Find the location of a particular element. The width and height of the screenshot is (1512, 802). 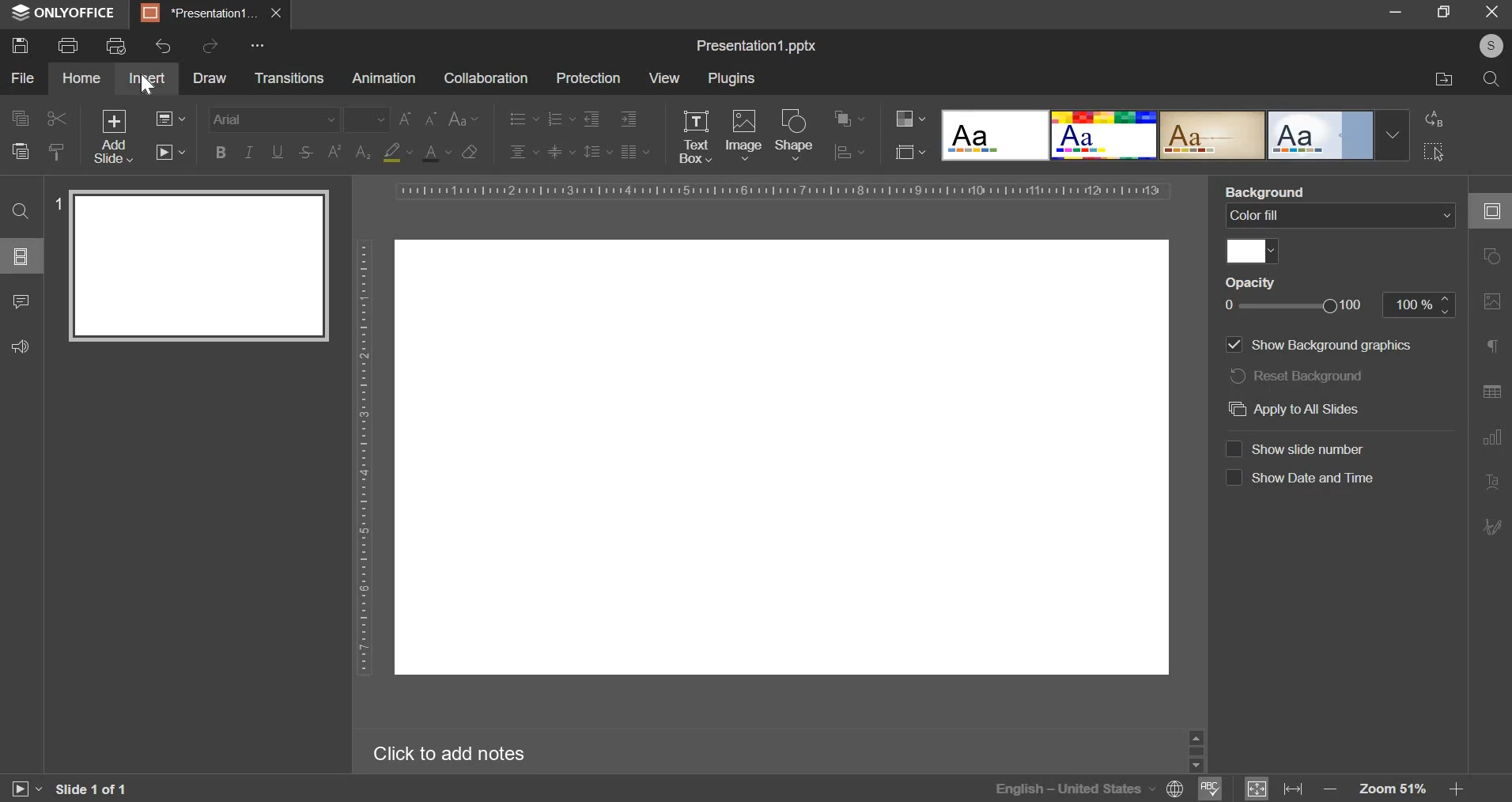

collaboration is located at coordinates (486, 78).